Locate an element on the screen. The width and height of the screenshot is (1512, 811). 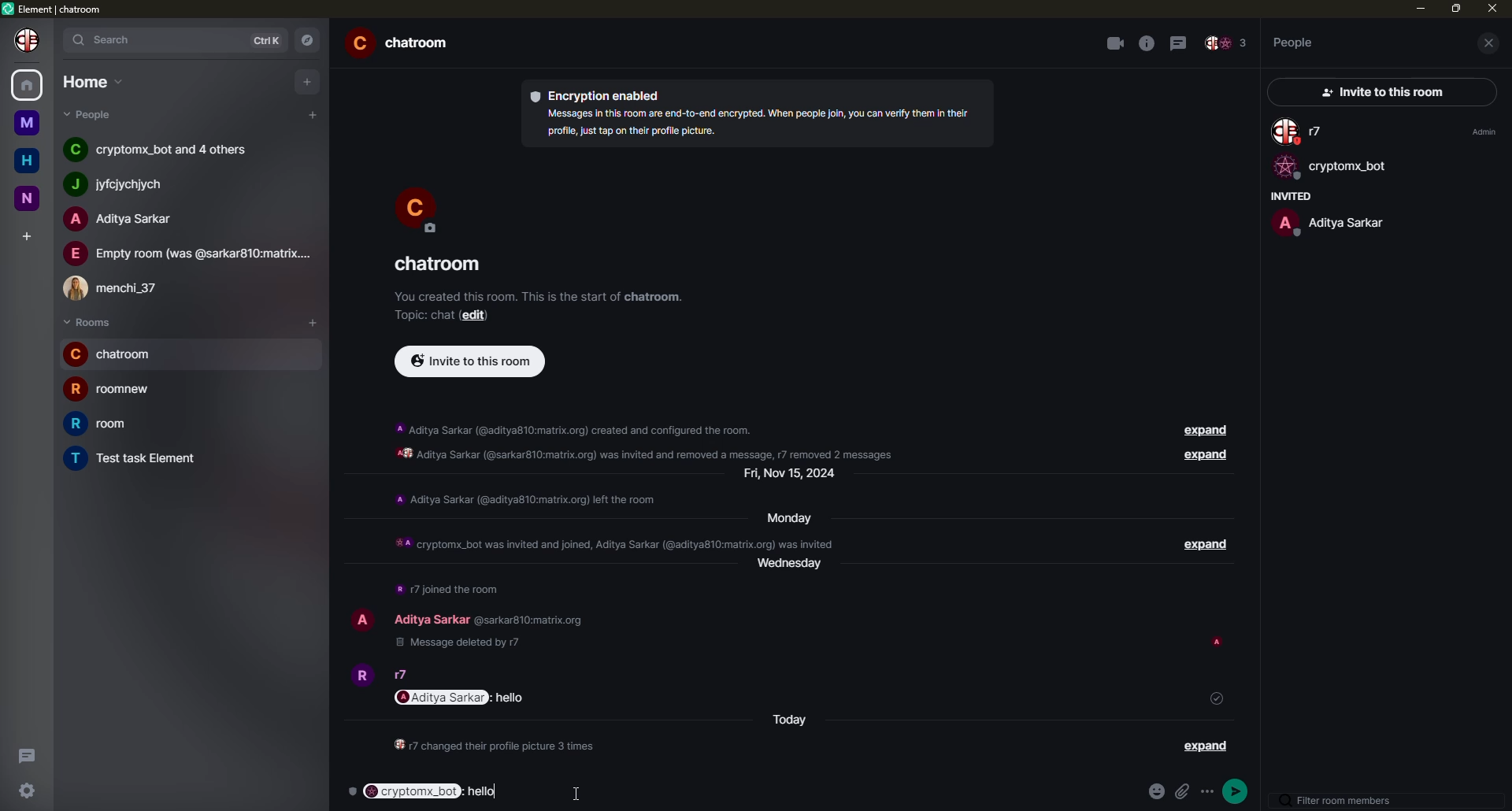
topic is located at coordinates (421, 315).